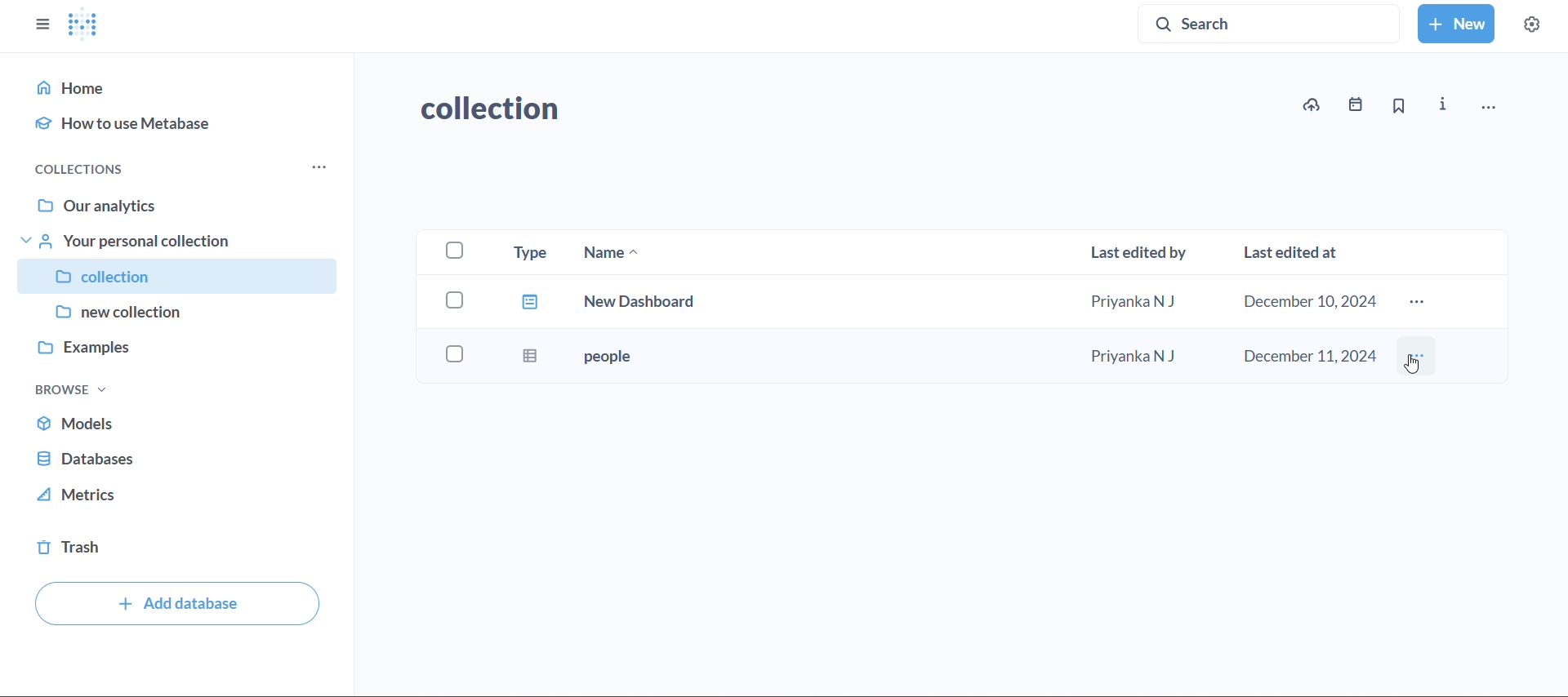 The width and height of the screenshot is (1568, 697). Describe the element at coordinates (1417, 366) in the screenshot. I see `Cursor` at that location.